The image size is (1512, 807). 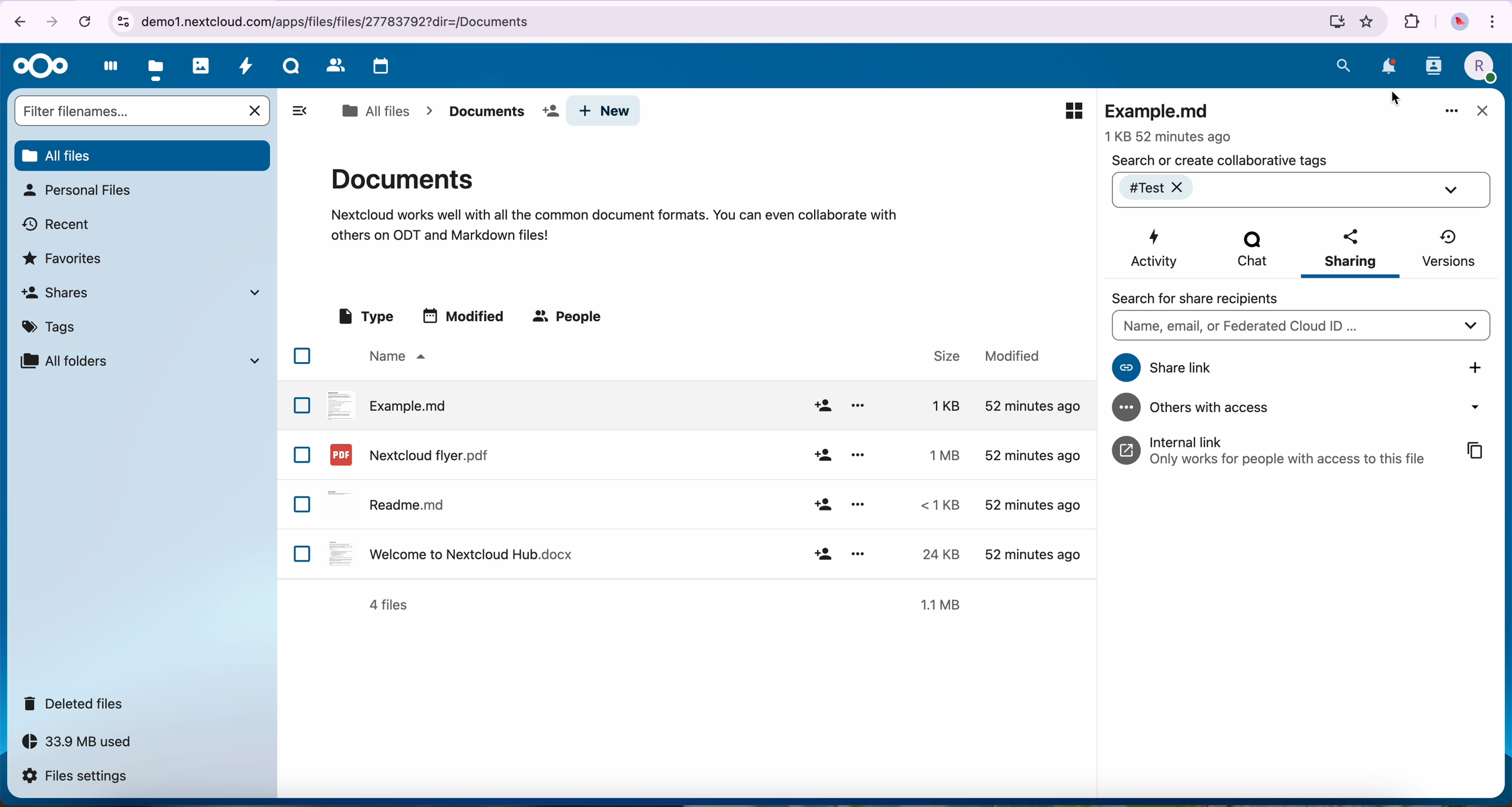 I want to click on 4 files, so click(x=389, y=605).